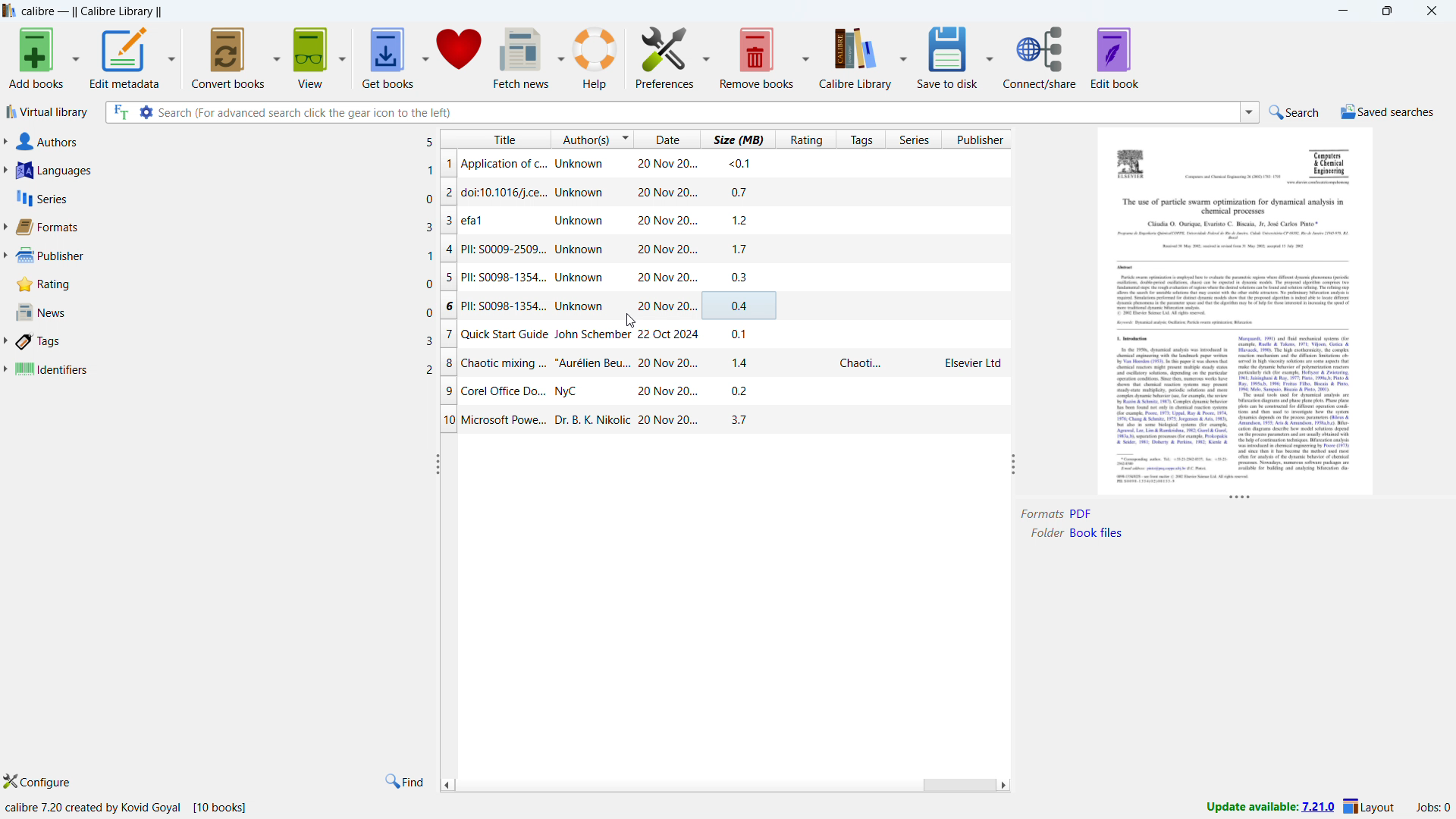  I want to click on convert books options, so click(278, 57).